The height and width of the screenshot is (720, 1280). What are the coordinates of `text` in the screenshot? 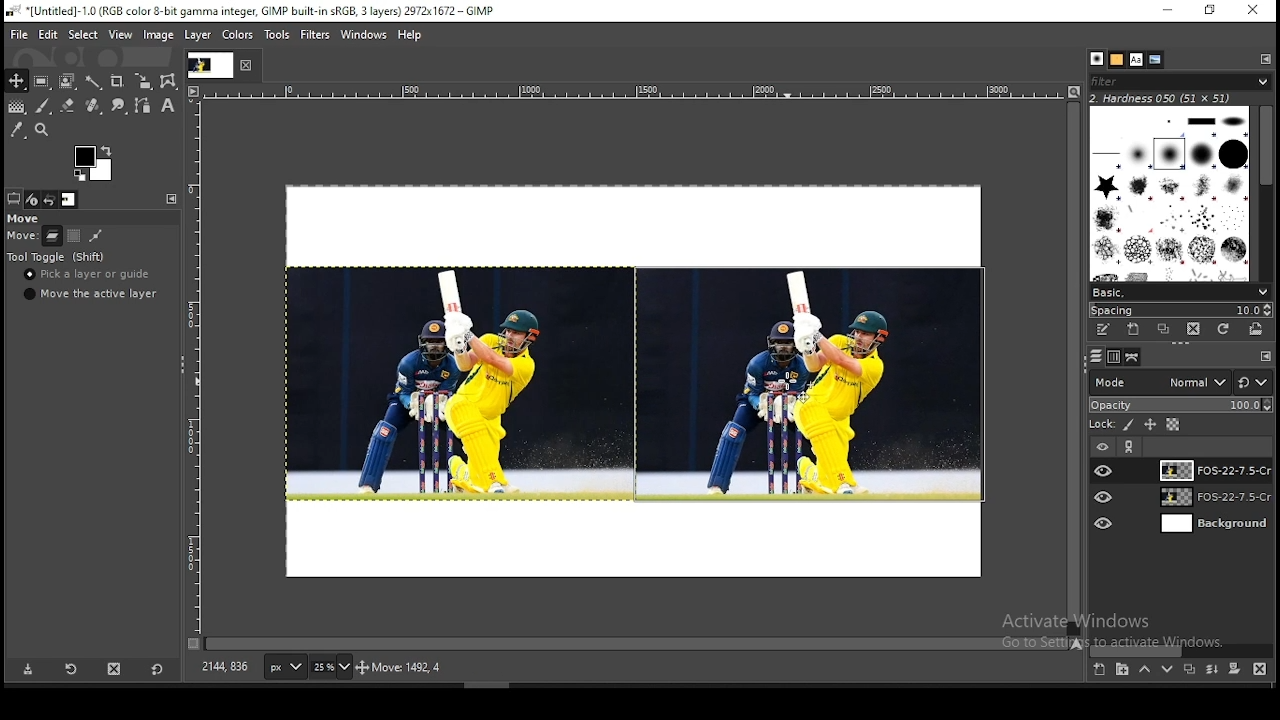 It's located at (1162, 97).